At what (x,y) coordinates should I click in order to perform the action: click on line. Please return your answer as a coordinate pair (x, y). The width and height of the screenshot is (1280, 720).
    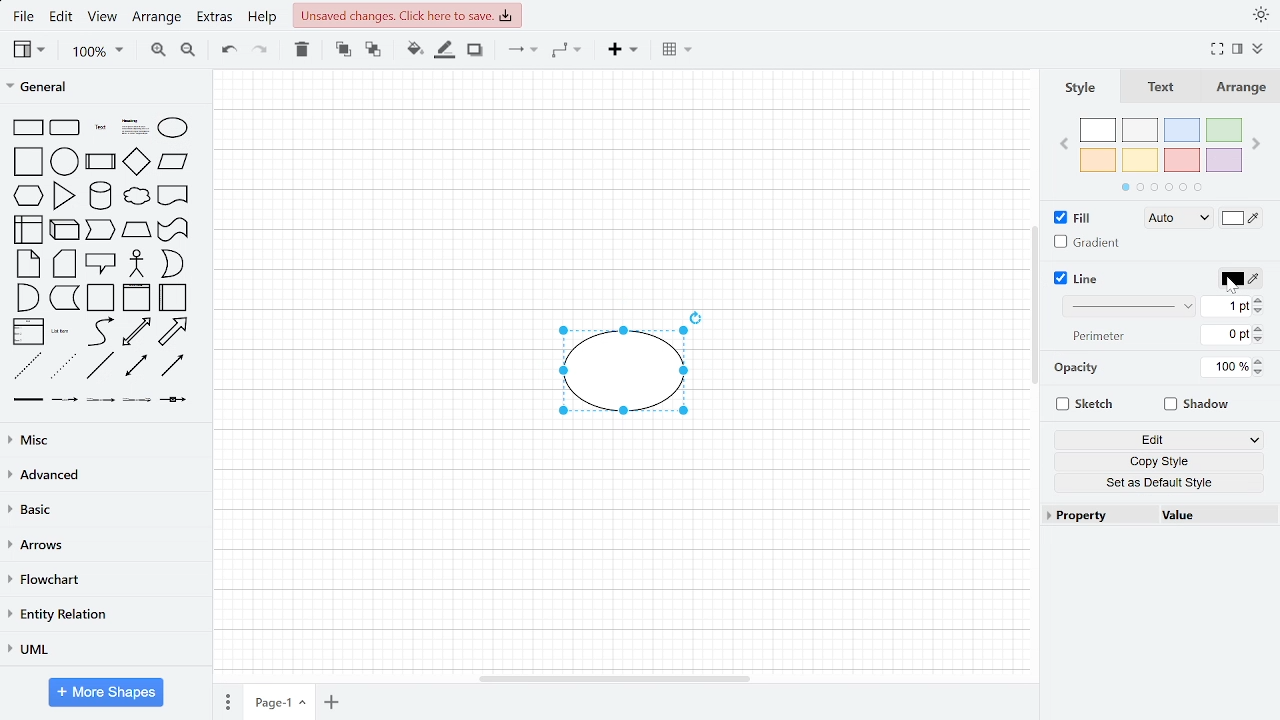
    Looking at the image, I should click on (99, 366).